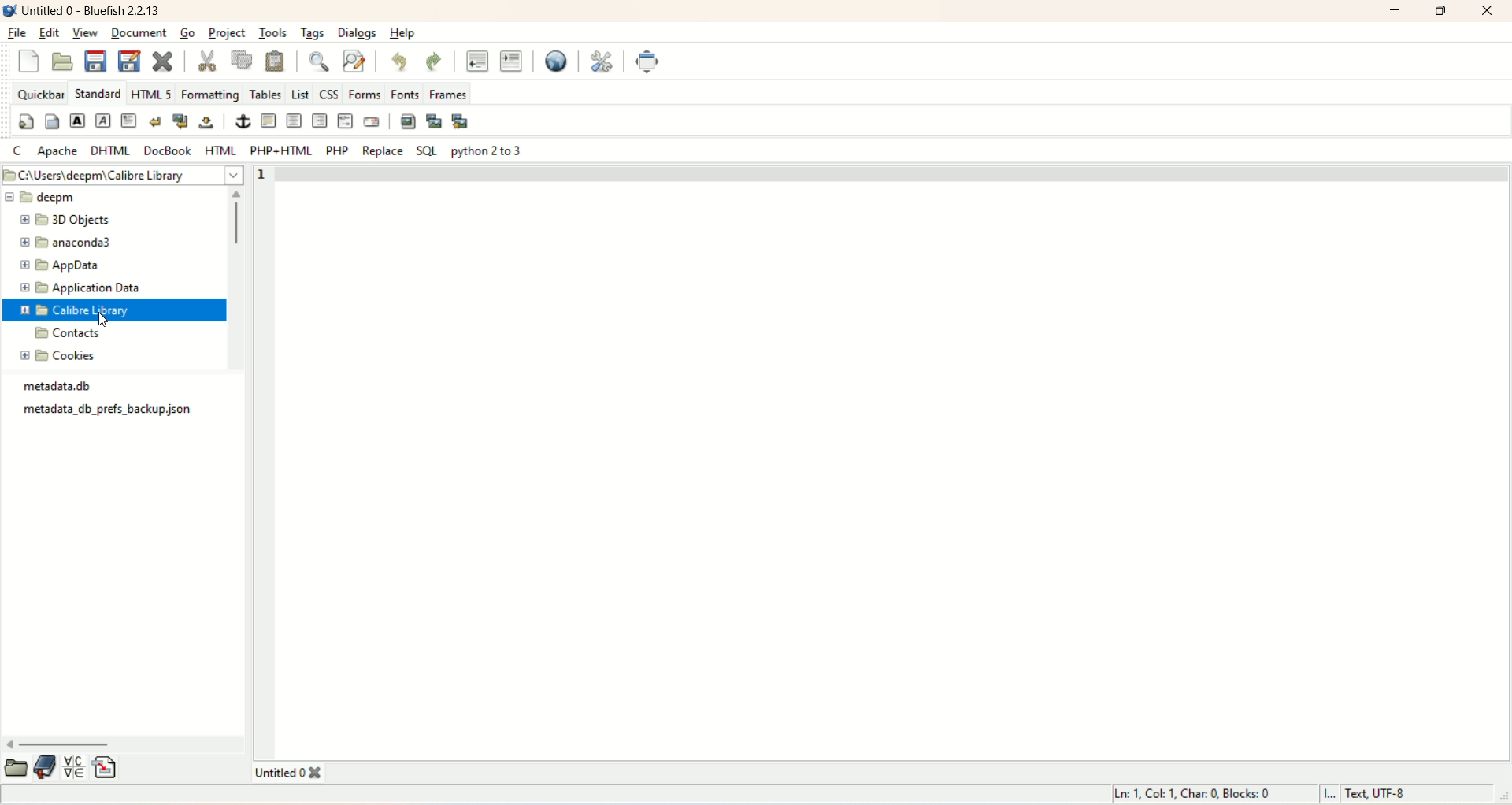  Describe the element at coordinates (209, 95) in the screenshot. I see `formatting` at that location.